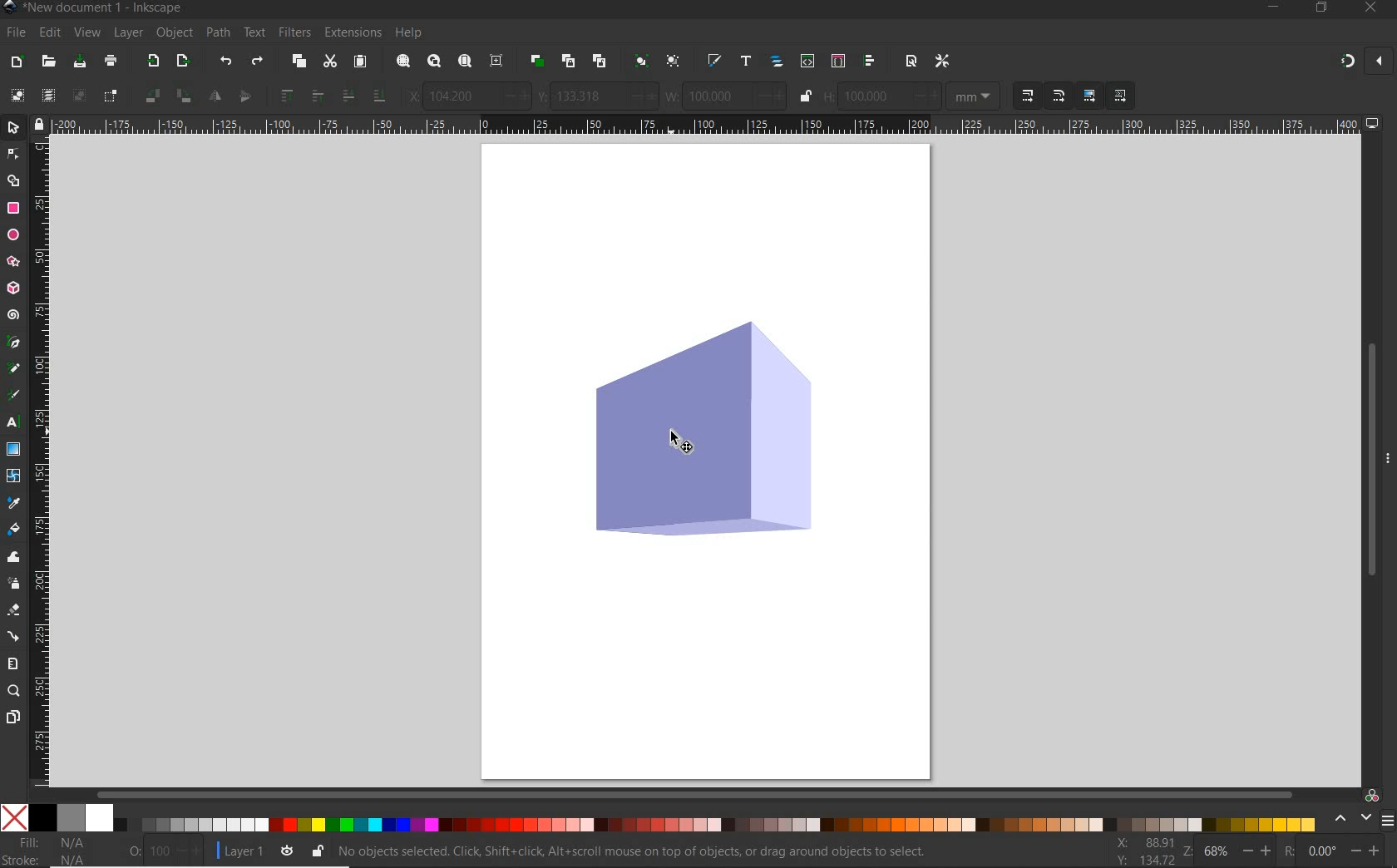  Describe the element at coordinates (14, 609) in the screenshot. I see `ERASER TOOL` at that location.